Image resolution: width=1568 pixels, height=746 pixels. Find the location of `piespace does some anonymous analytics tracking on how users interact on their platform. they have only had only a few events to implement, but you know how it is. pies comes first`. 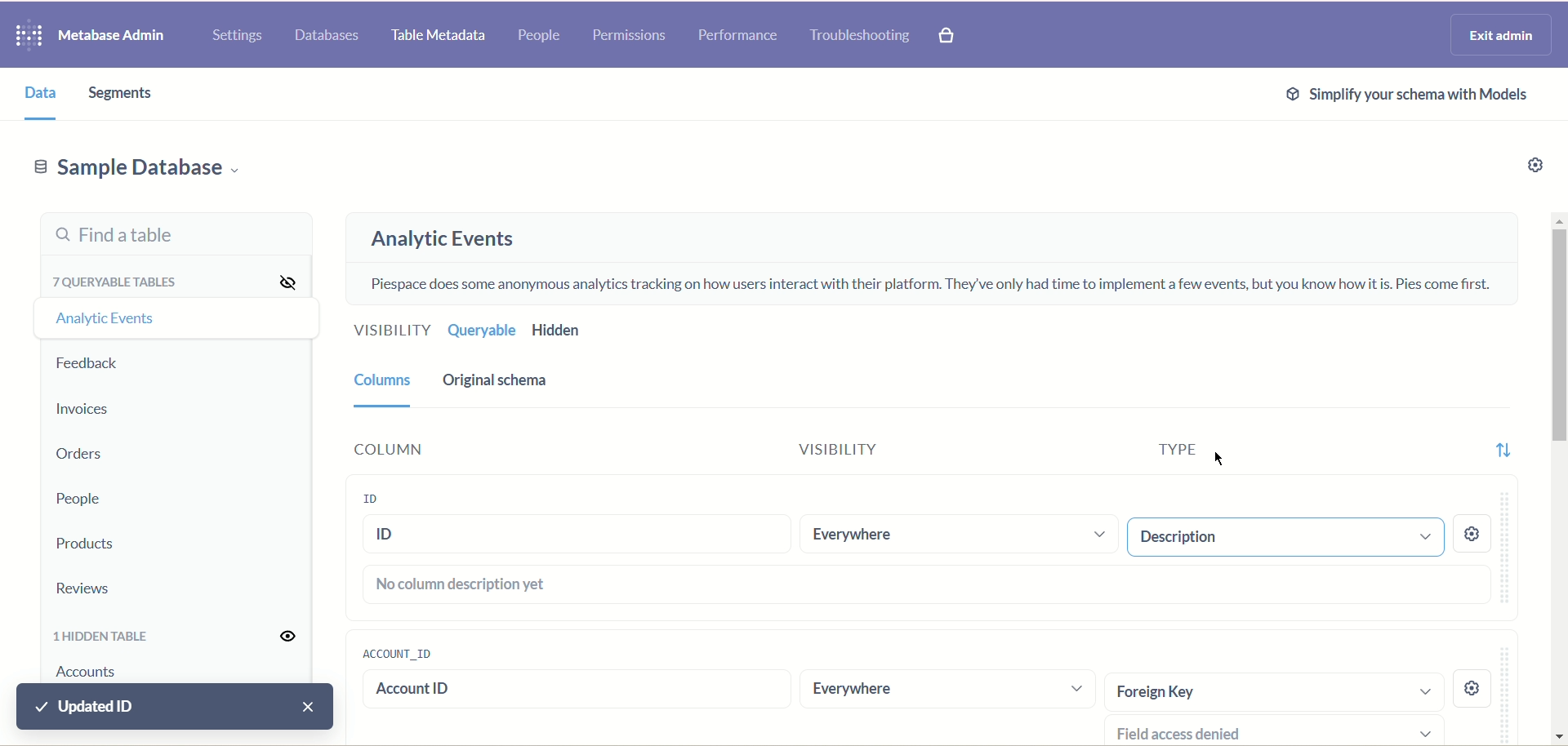

piespace does some anonymous analytics tracking on how users interact on their platform. they have only had only a few events to implement, but you know how it is. pies comes first is located at coordinates (928, 285).